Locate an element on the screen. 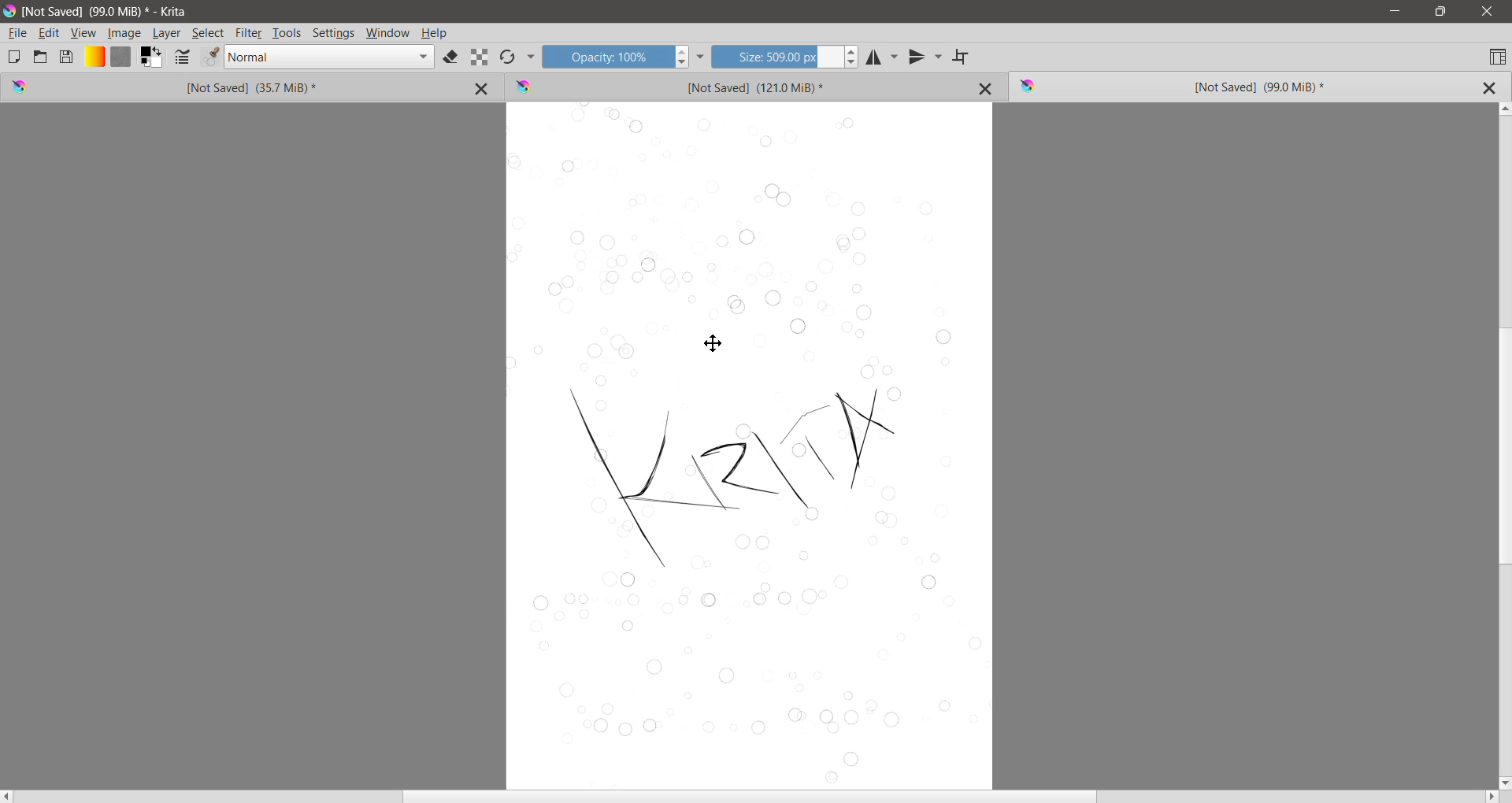 This screenshot has width=1512, height=803. Edit Brush Preset is located at coordinates (209, 57).